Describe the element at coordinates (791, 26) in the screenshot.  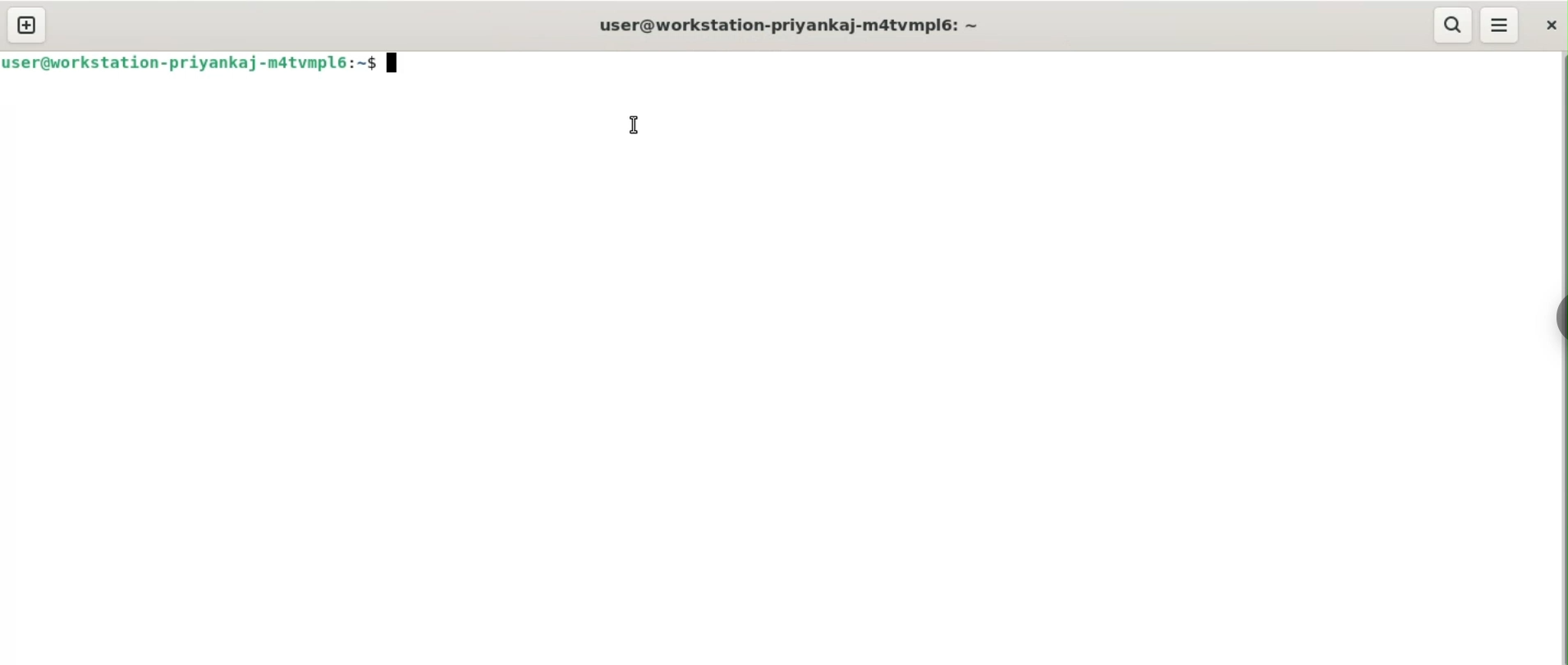
I see `user@workstation-priyankaj-m4tvmpl6: ~` at that location.